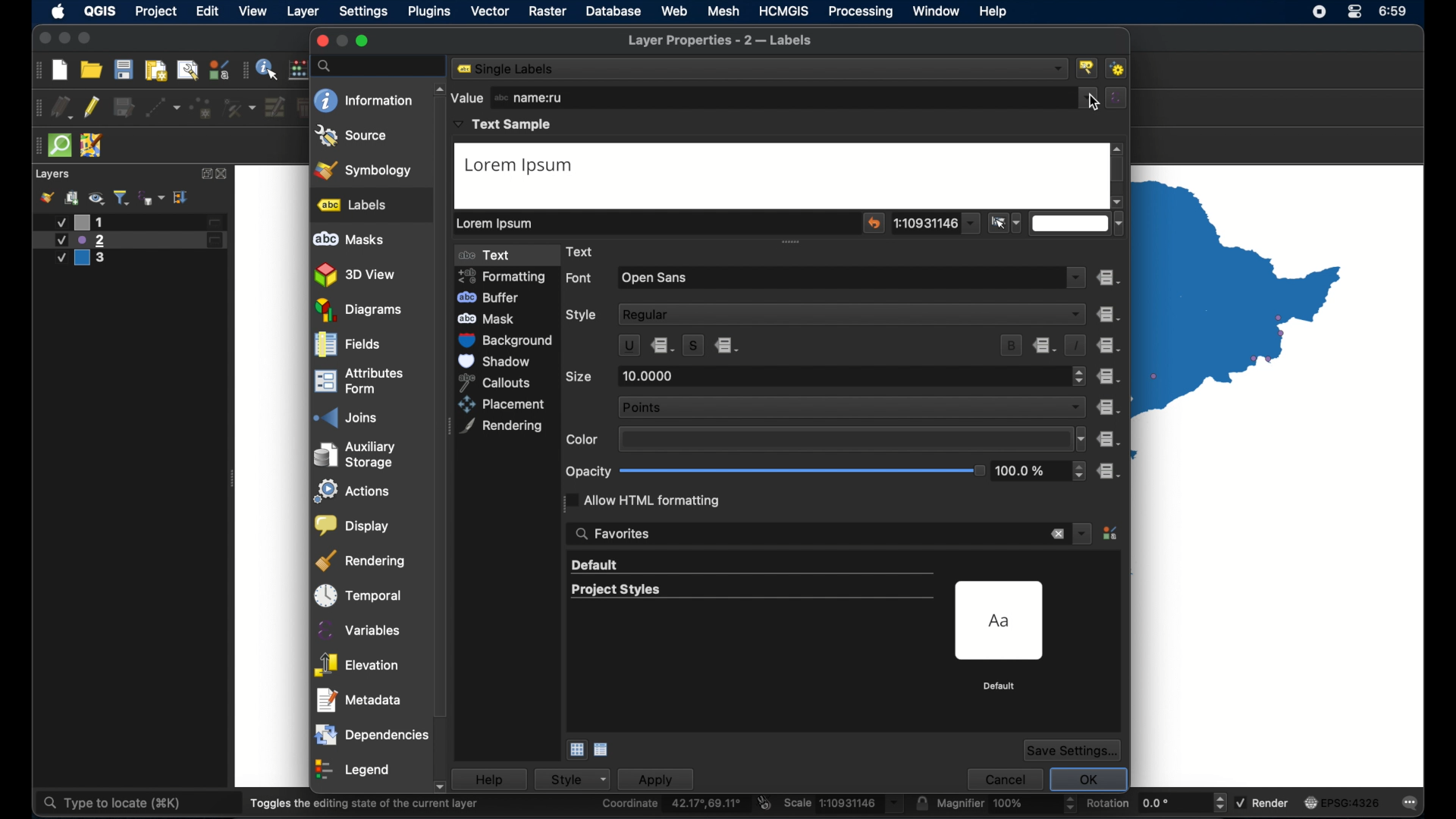 This screenshot has width=1456, height=819. I want to click on stepper buttons, so click(1079, 376).